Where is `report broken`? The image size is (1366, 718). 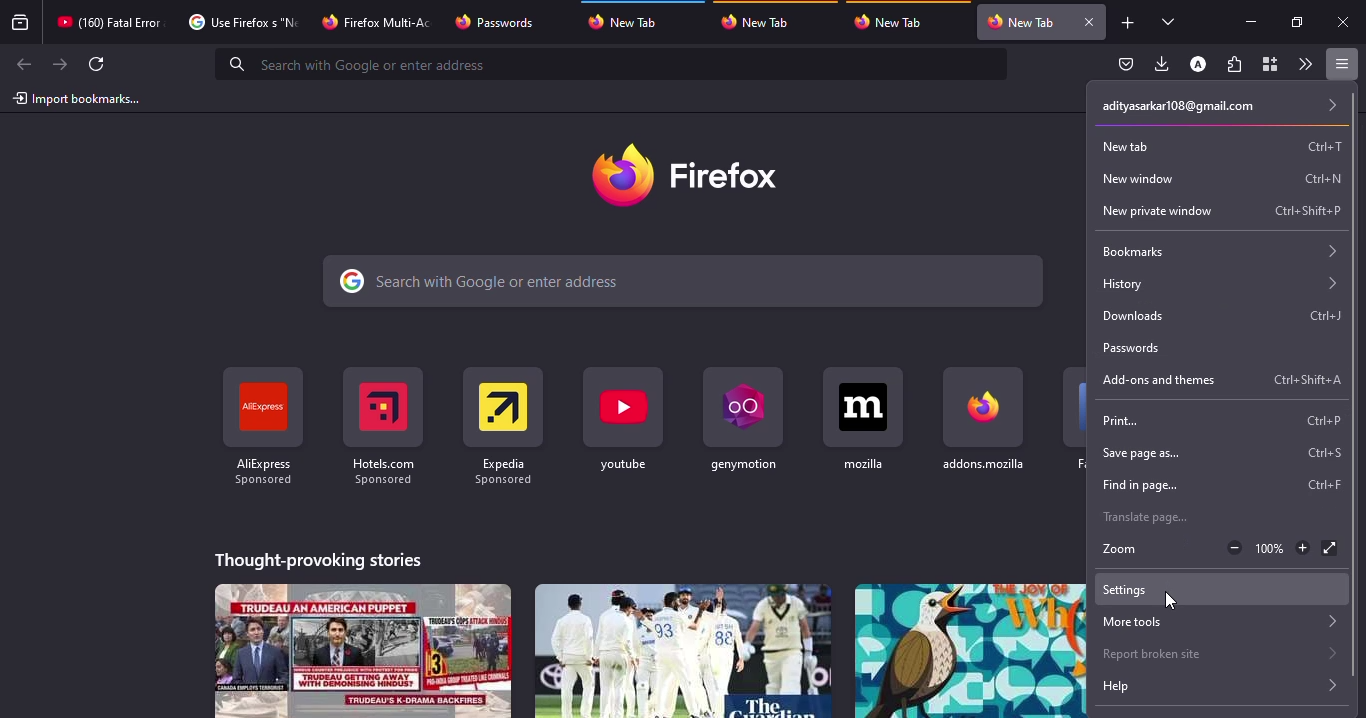 report broken is located at coordinates (1214, 651).